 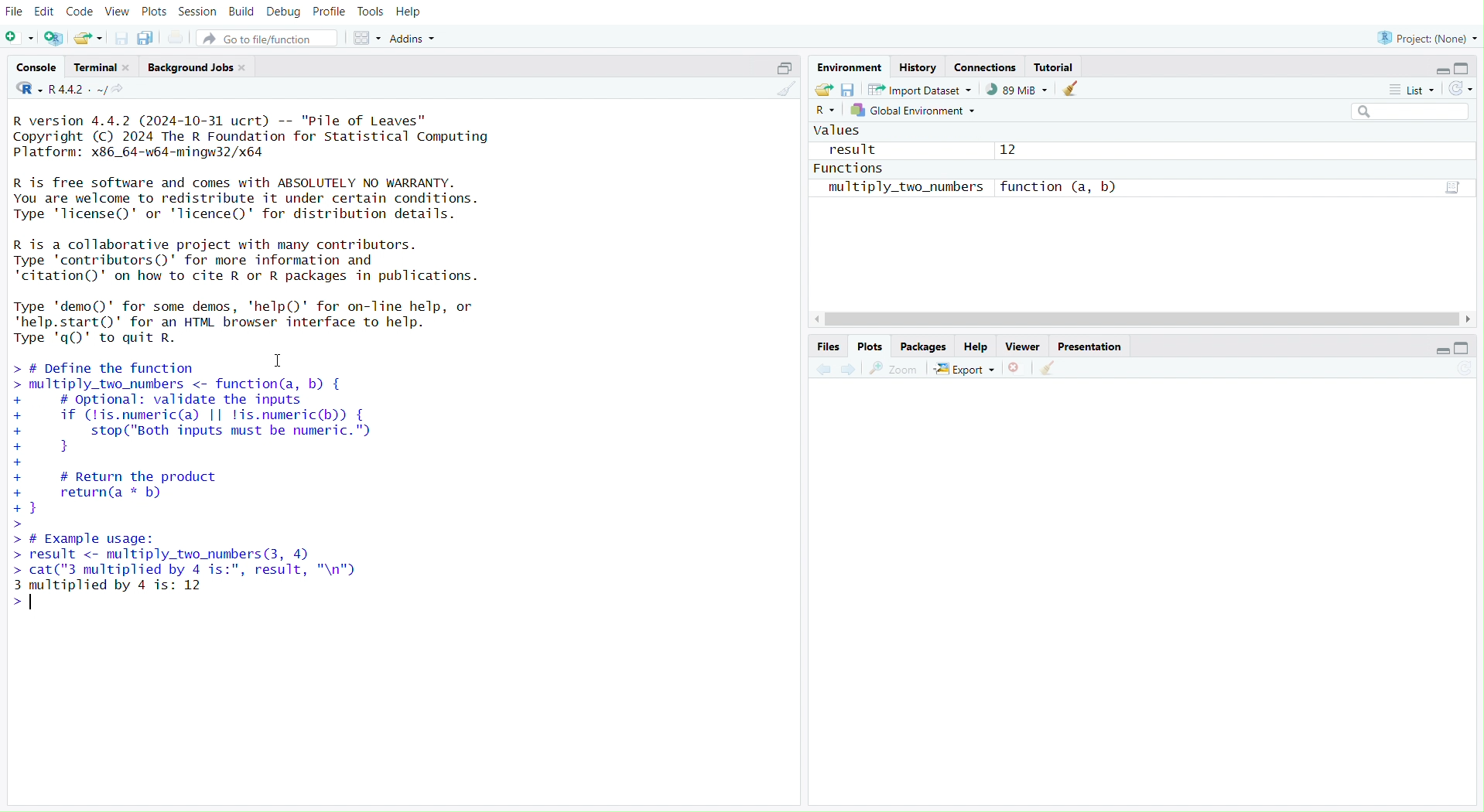 What do you see at coordinates (893, 368) in the screenshot?
I see `Zoom` at bounding box center [893, 368].